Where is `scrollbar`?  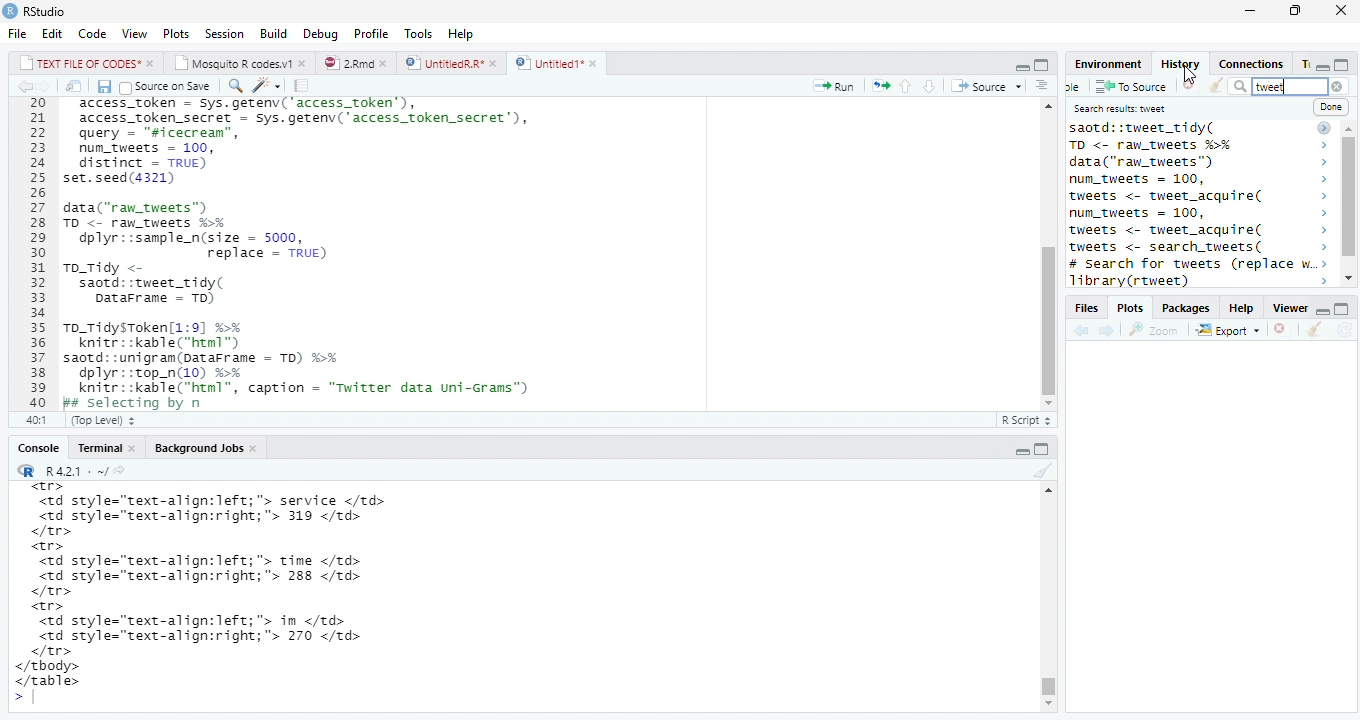
scrollbar is located at coordinates (1351, 203).